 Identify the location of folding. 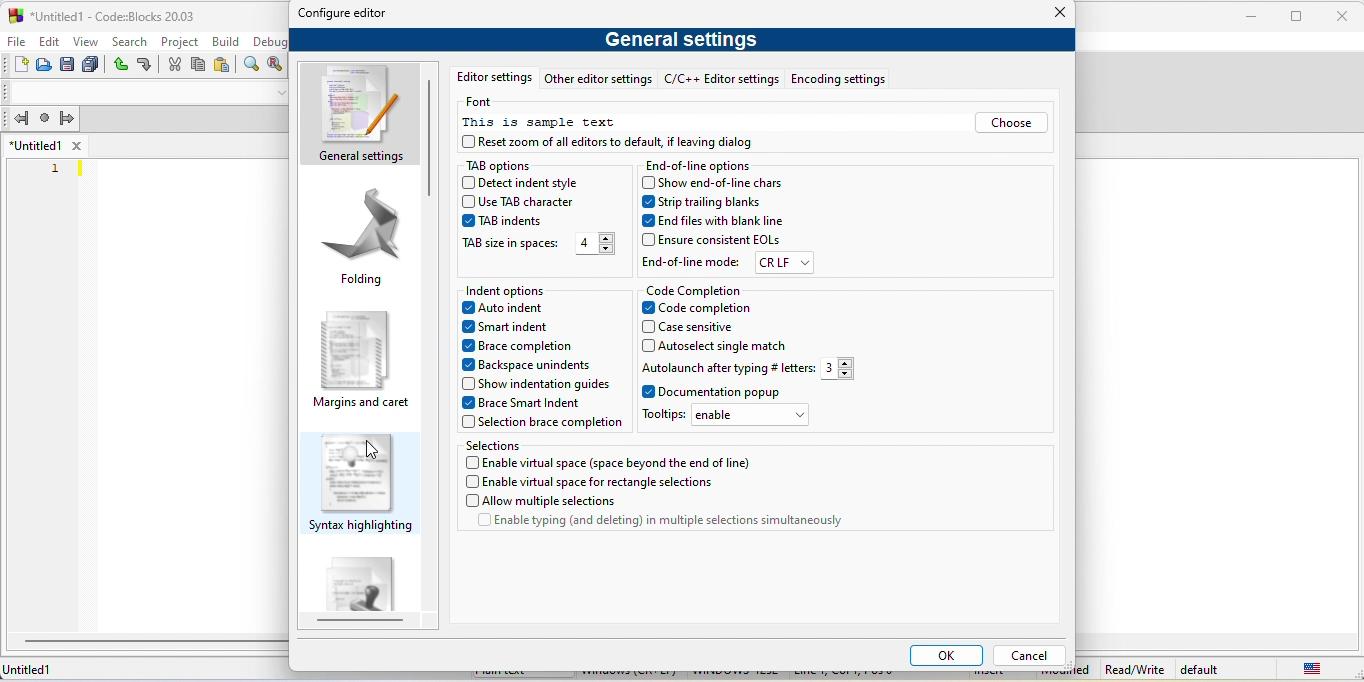
(357, 238).